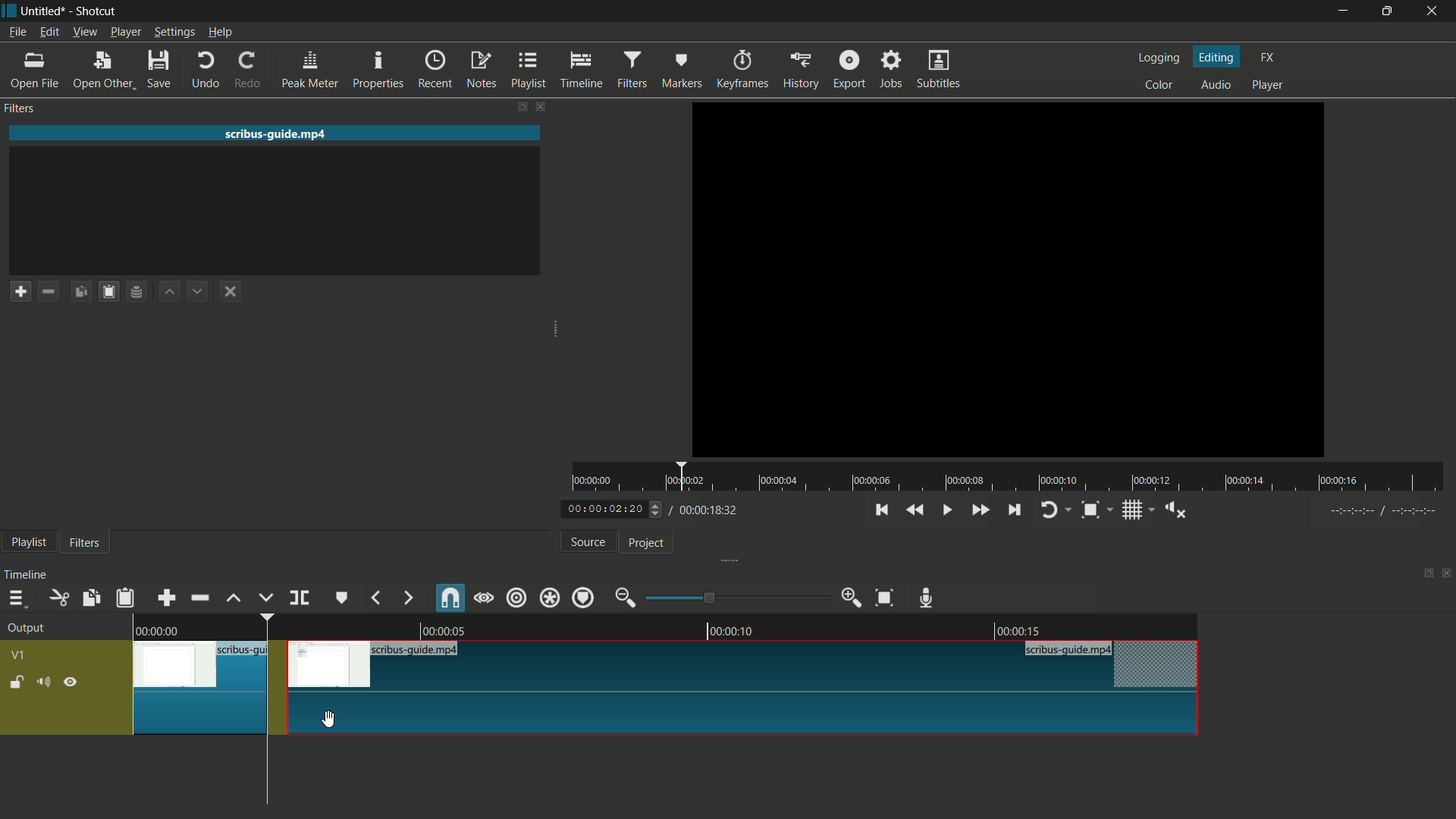 The height and width of the screenshot is (819, 1456). Describe the element at coordinates (1389, 11) in the screenshot. I see `maximize` at that location.